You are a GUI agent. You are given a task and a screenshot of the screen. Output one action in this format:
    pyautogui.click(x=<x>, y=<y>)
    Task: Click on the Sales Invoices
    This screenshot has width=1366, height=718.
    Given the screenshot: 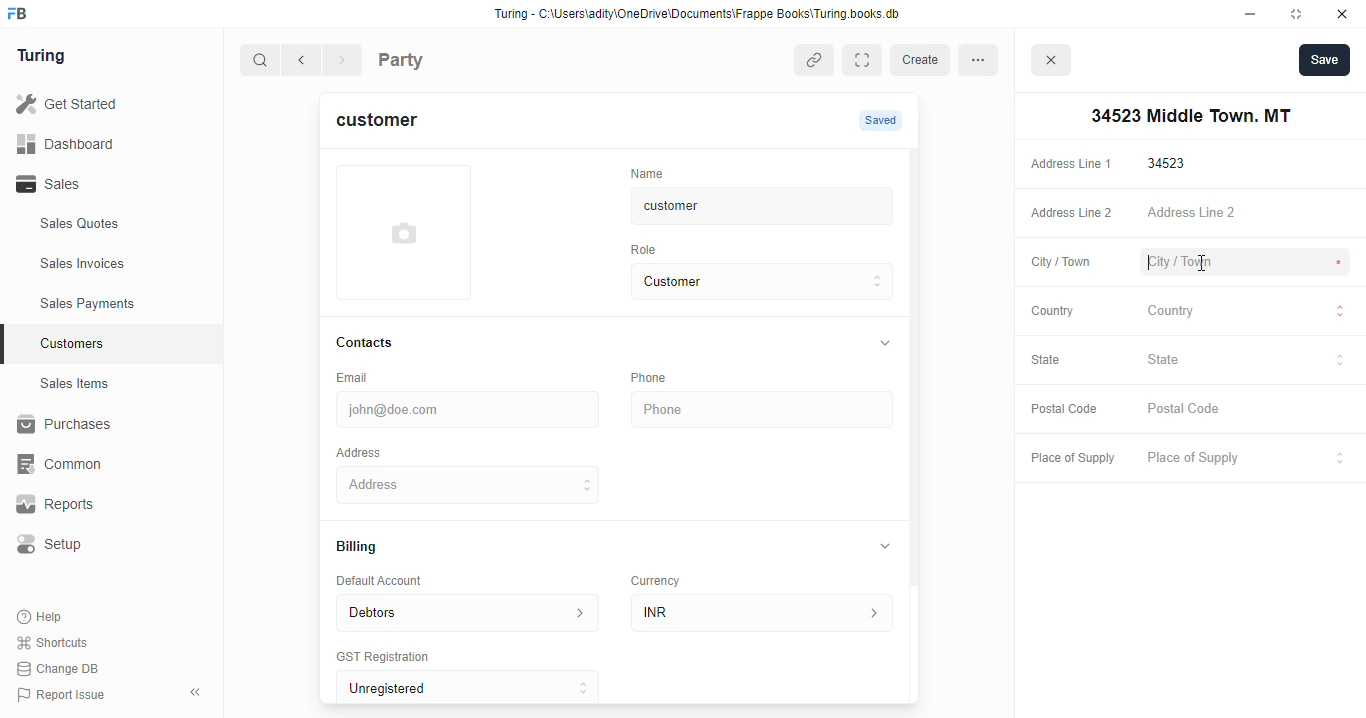 What is the action you would take?
    pyautogui.click(x=117, y=264)
    